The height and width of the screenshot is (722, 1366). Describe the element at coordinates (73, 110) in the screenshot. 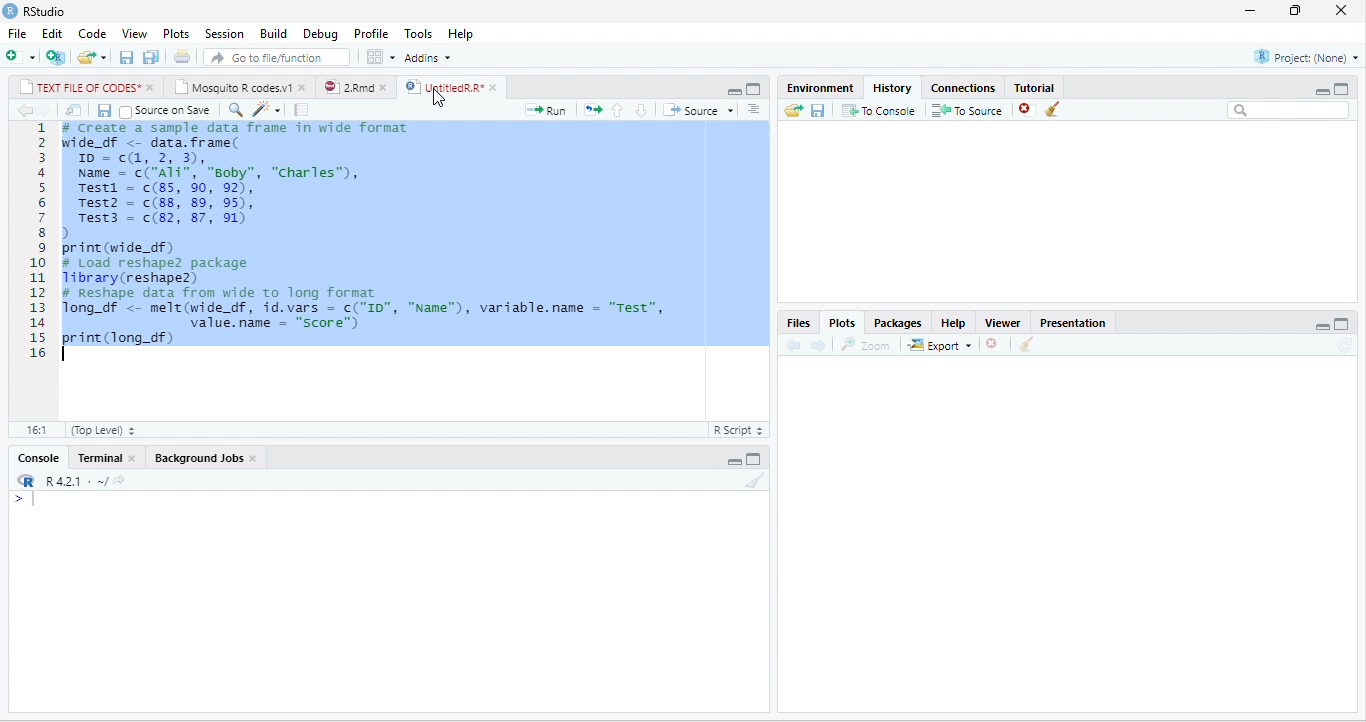

I see `open in new window` at that location.